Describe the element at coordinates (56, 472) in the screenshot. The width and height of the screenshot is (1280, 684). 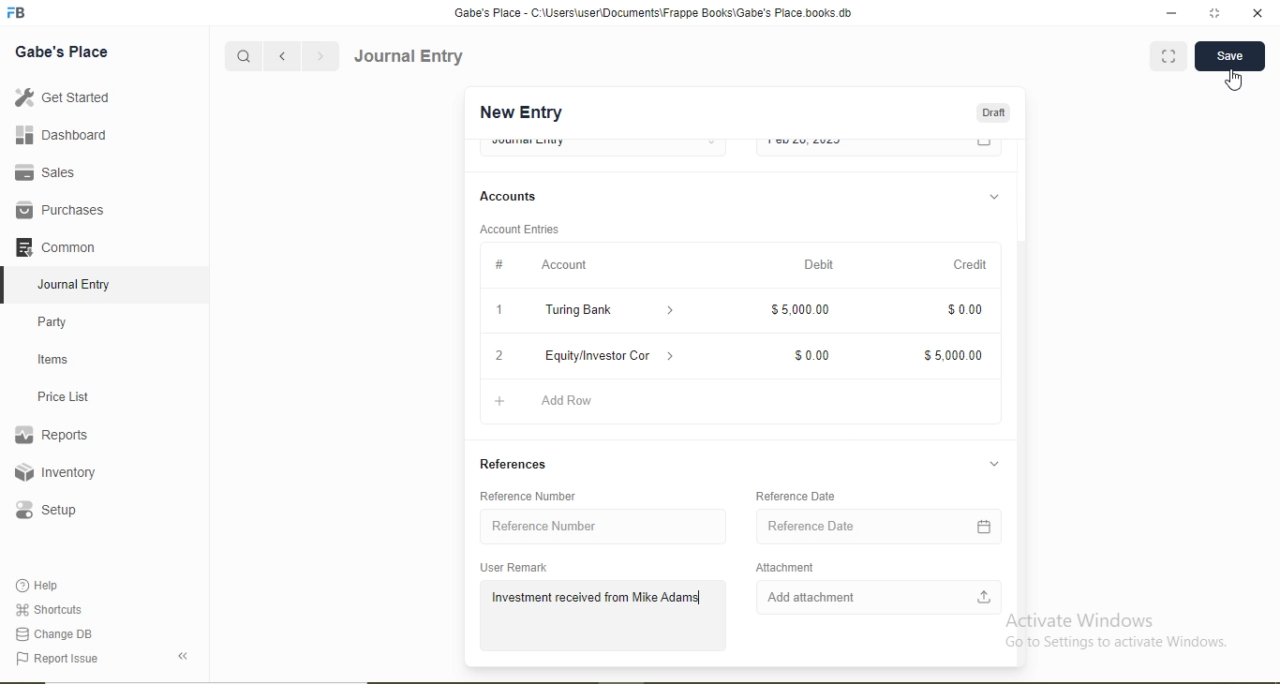
I see `Inventory` at that location.